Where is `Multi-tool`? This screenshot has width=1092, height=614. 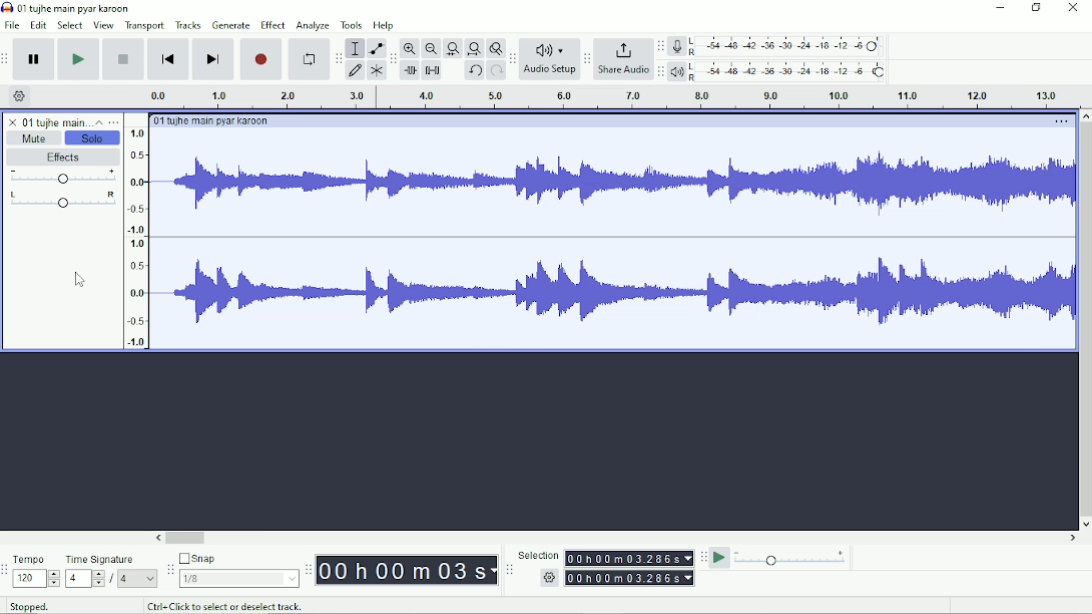
Multi-tool is located at coordinates (376, 70).